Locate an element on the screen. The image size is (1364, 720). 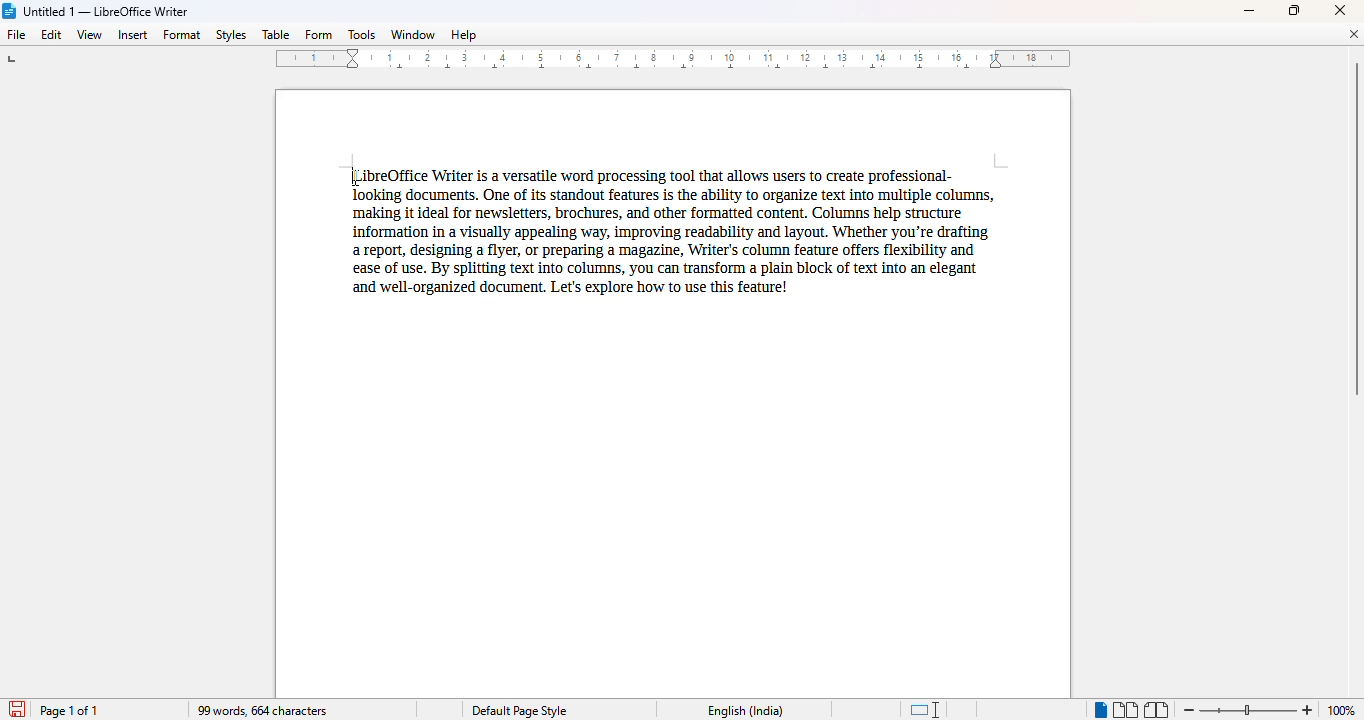
standard selection is located at coordinates (926, 709).